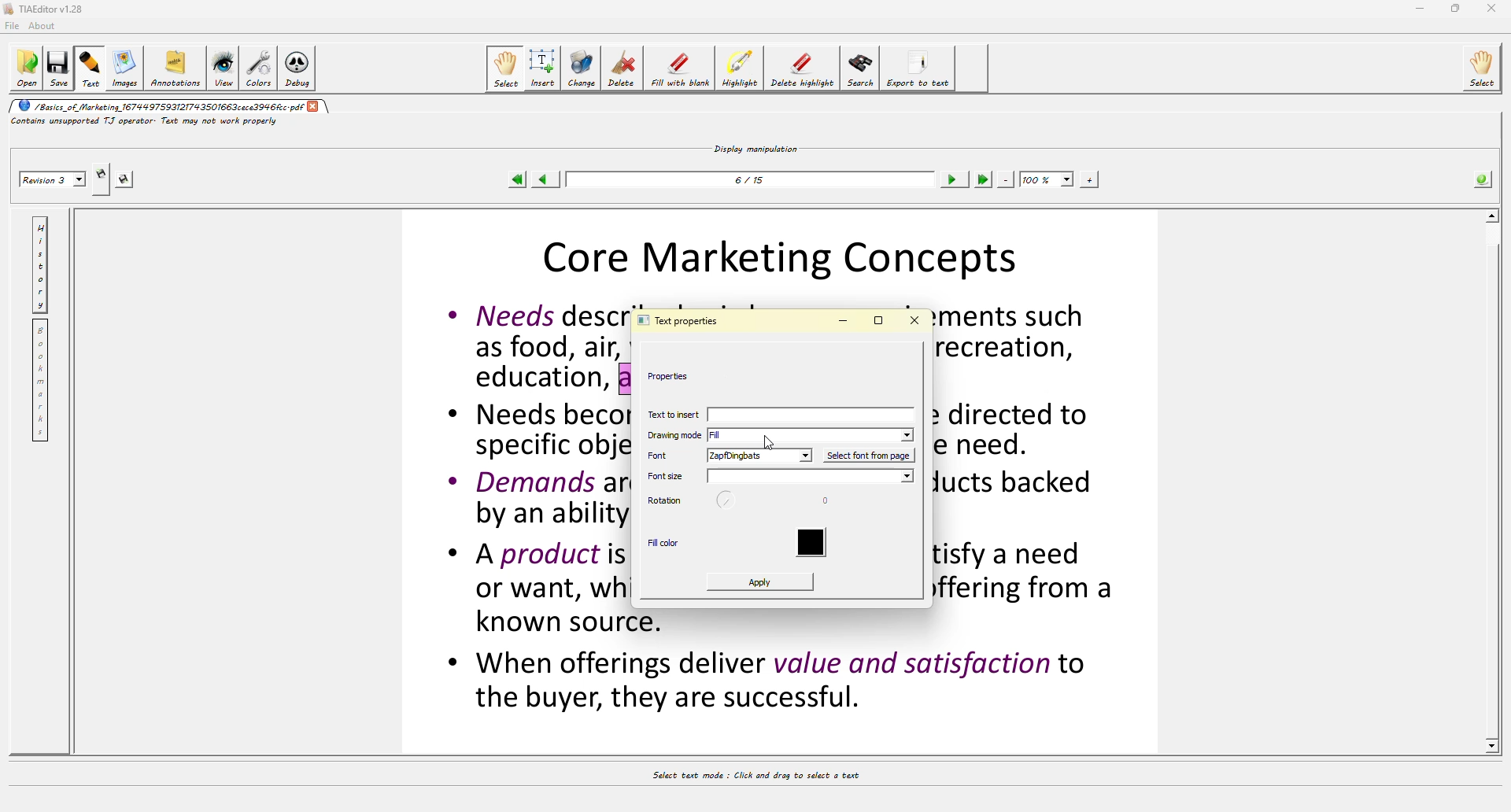 This screenshot has width=1511, height=812. Describe the element at coordinates (11, 28) in the screenshot. I see `file` at that location.